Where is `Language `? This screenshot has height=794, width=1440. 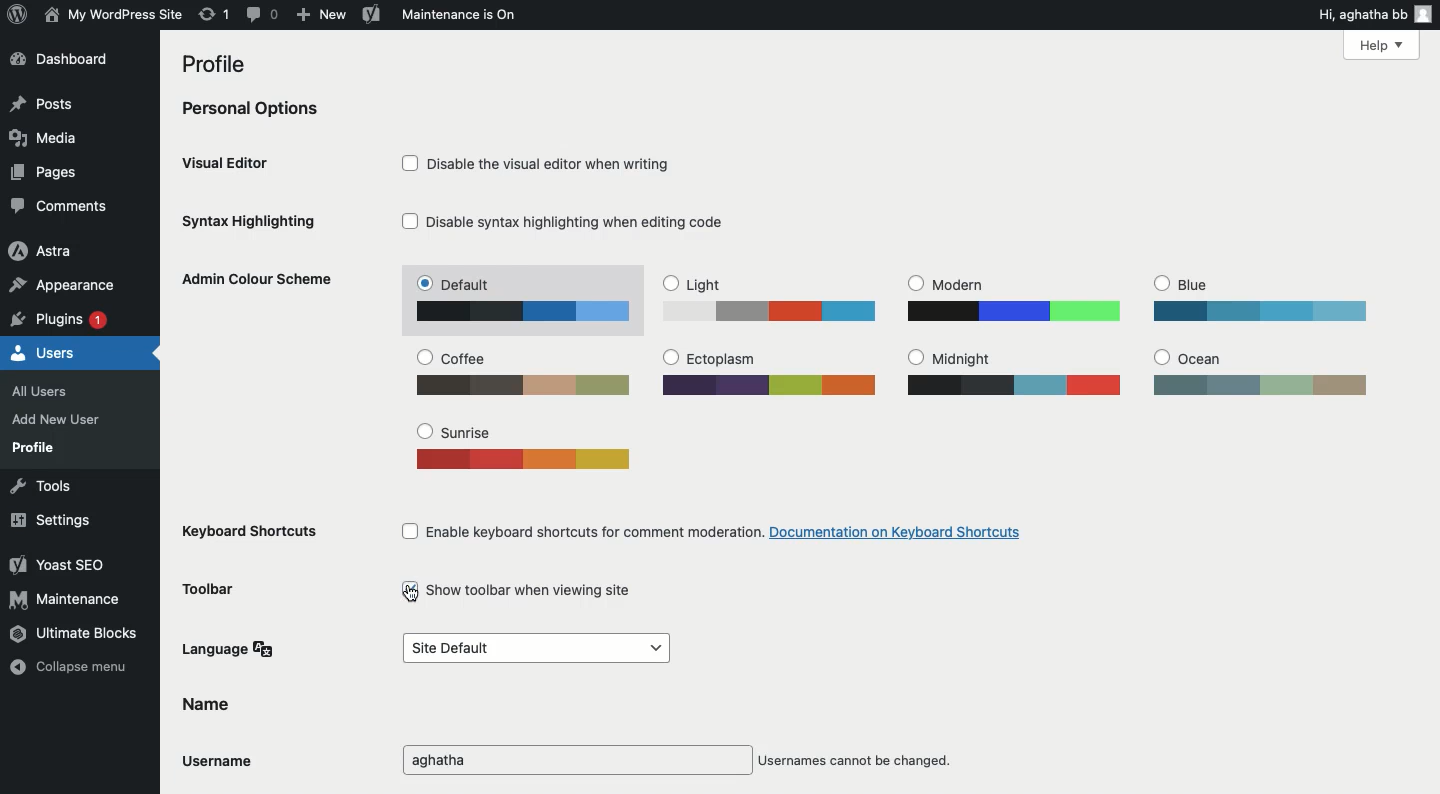 Language  is located at coordinates (229, 649).